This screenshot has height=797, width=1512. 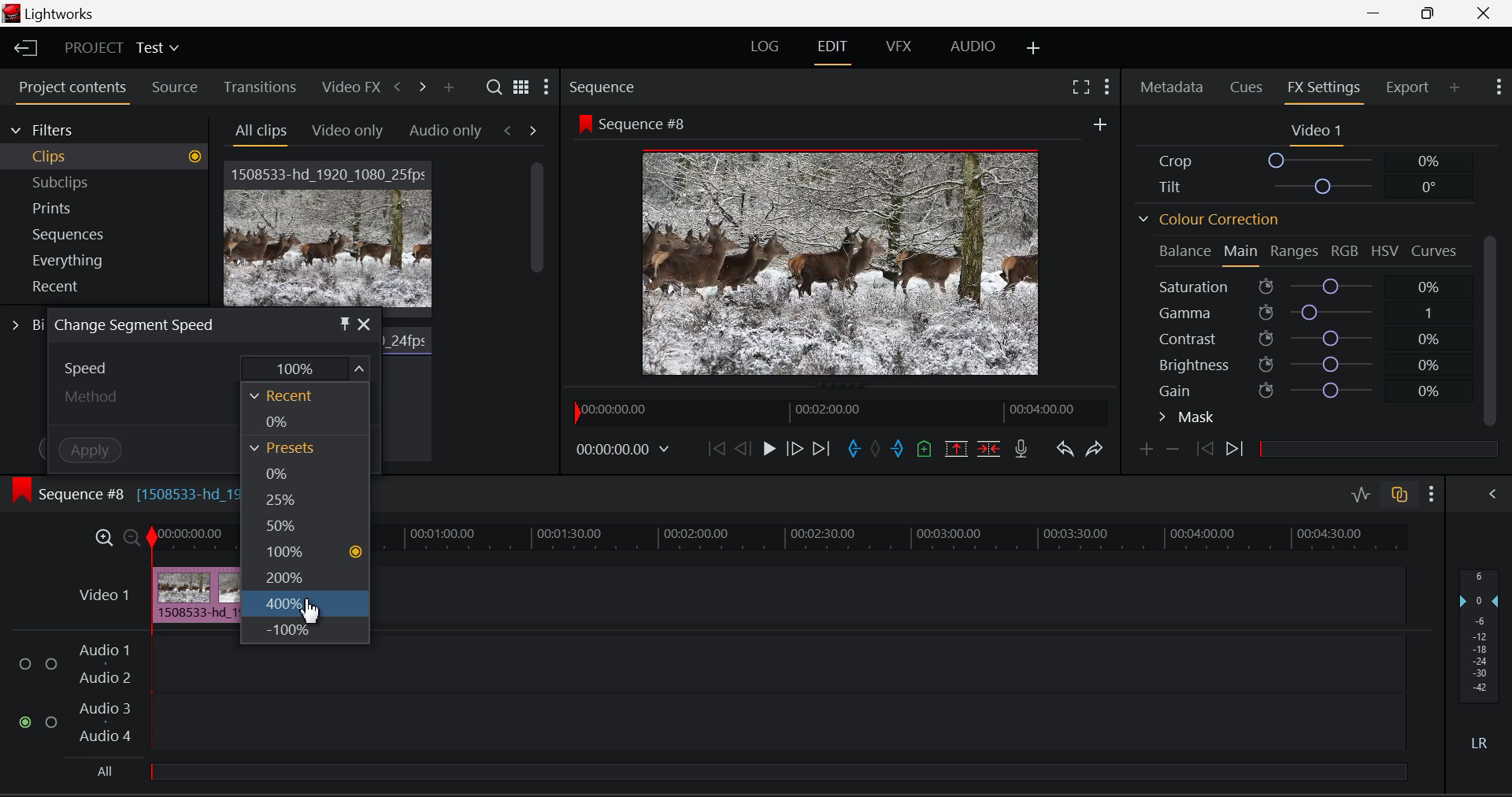 What do you see at coordinates (195, 595) in the screenshot?
I see `Cursor on Clip in Timeline` at bounding box center [195, 595].